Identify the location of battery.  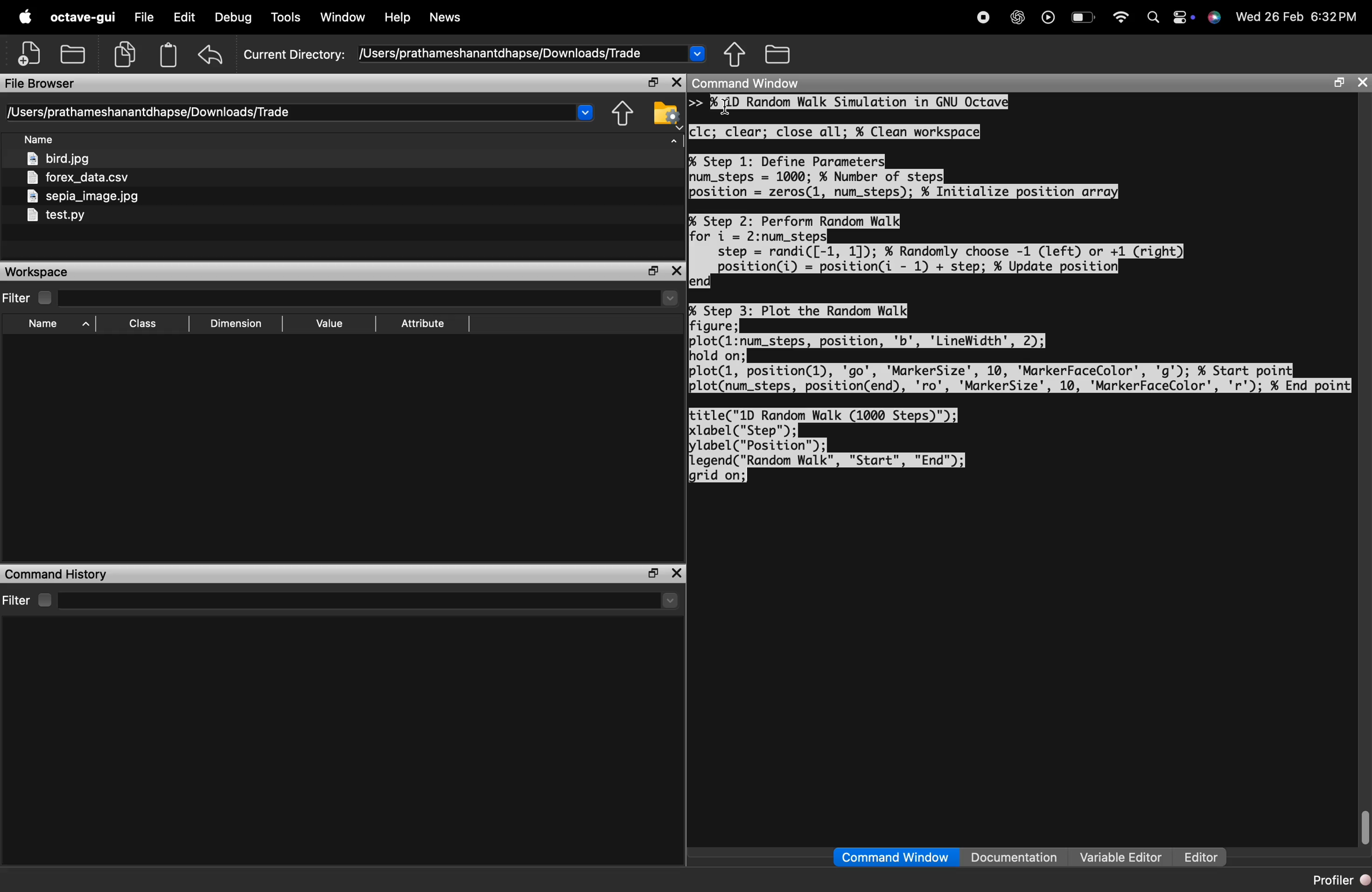
(1084, 19).